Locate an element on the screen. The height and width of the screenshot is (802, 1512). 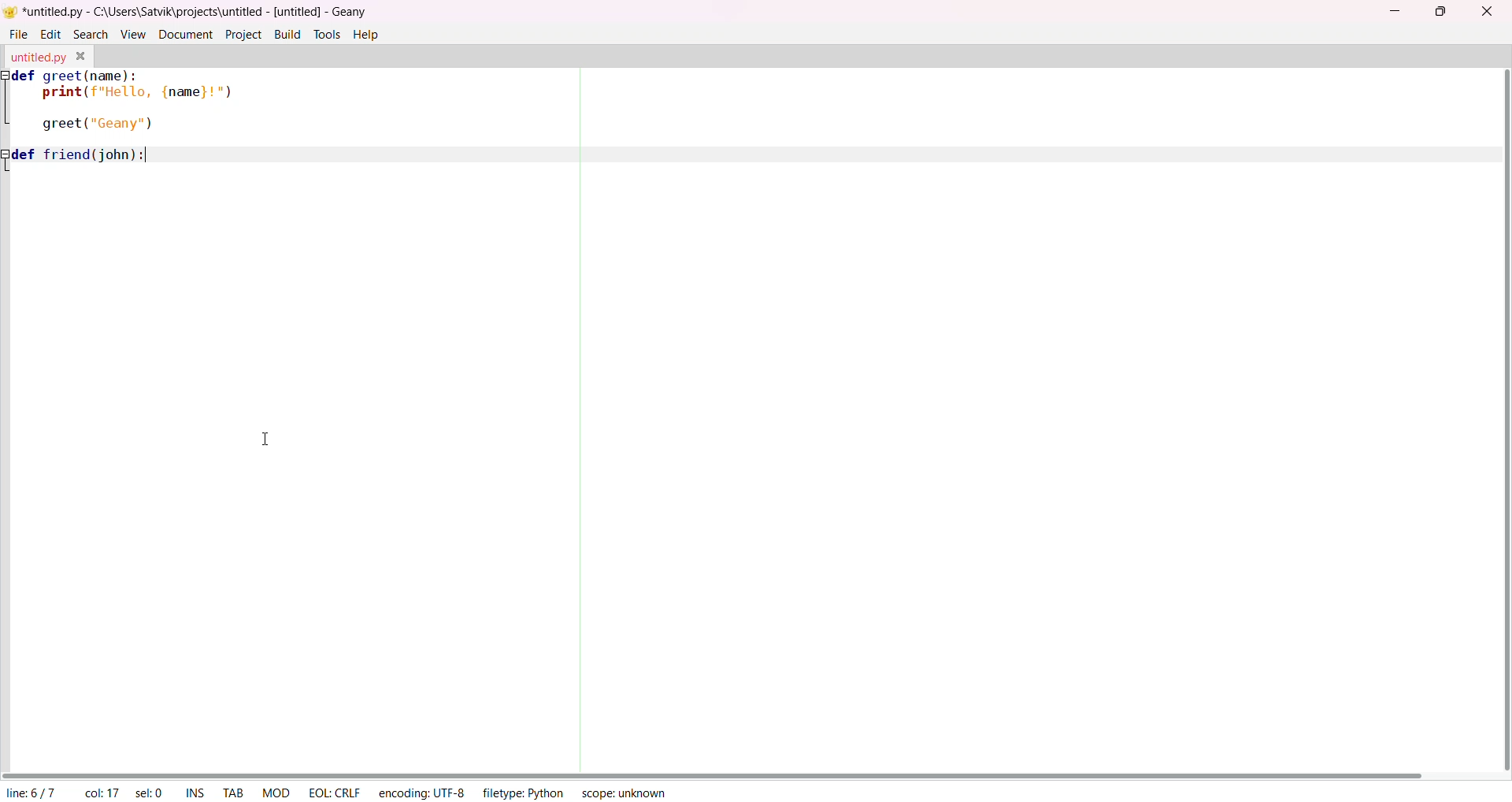
vertical scroll bar is located at coordinates (1499, 421).